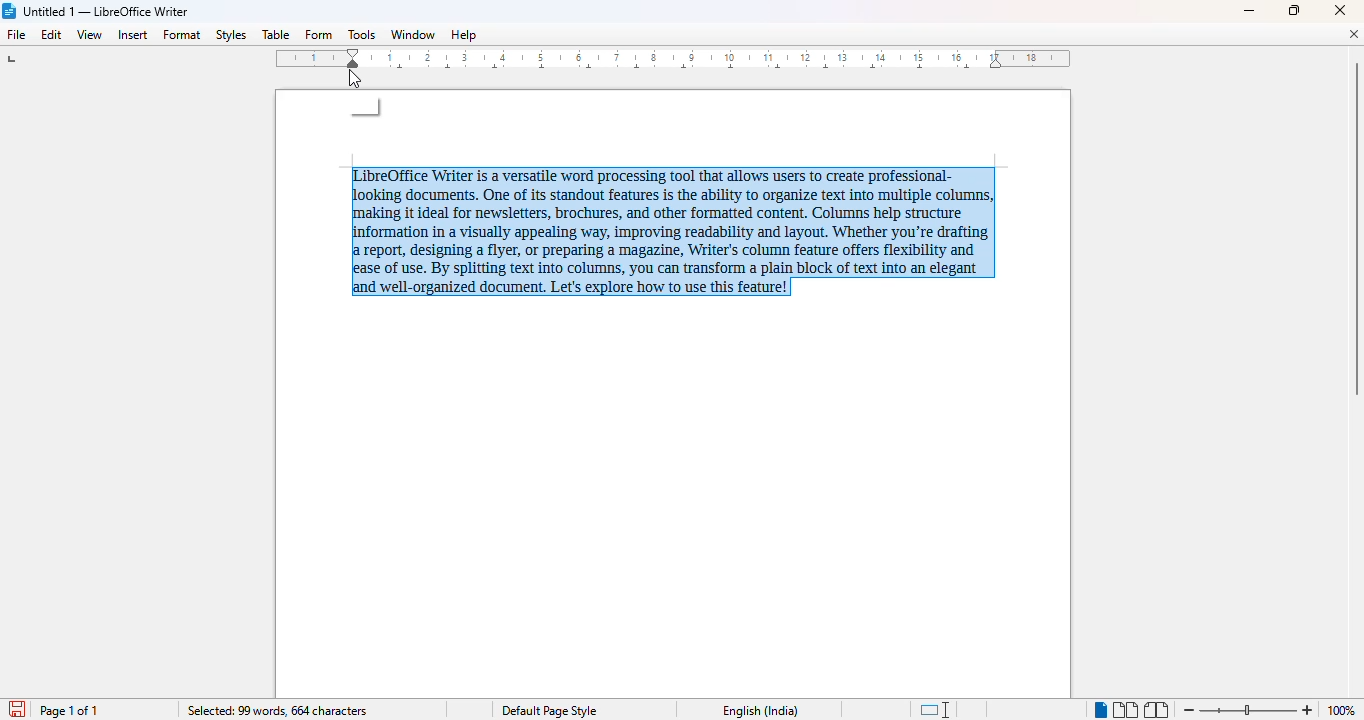  I want to click on tab stop, so click(17, 61).